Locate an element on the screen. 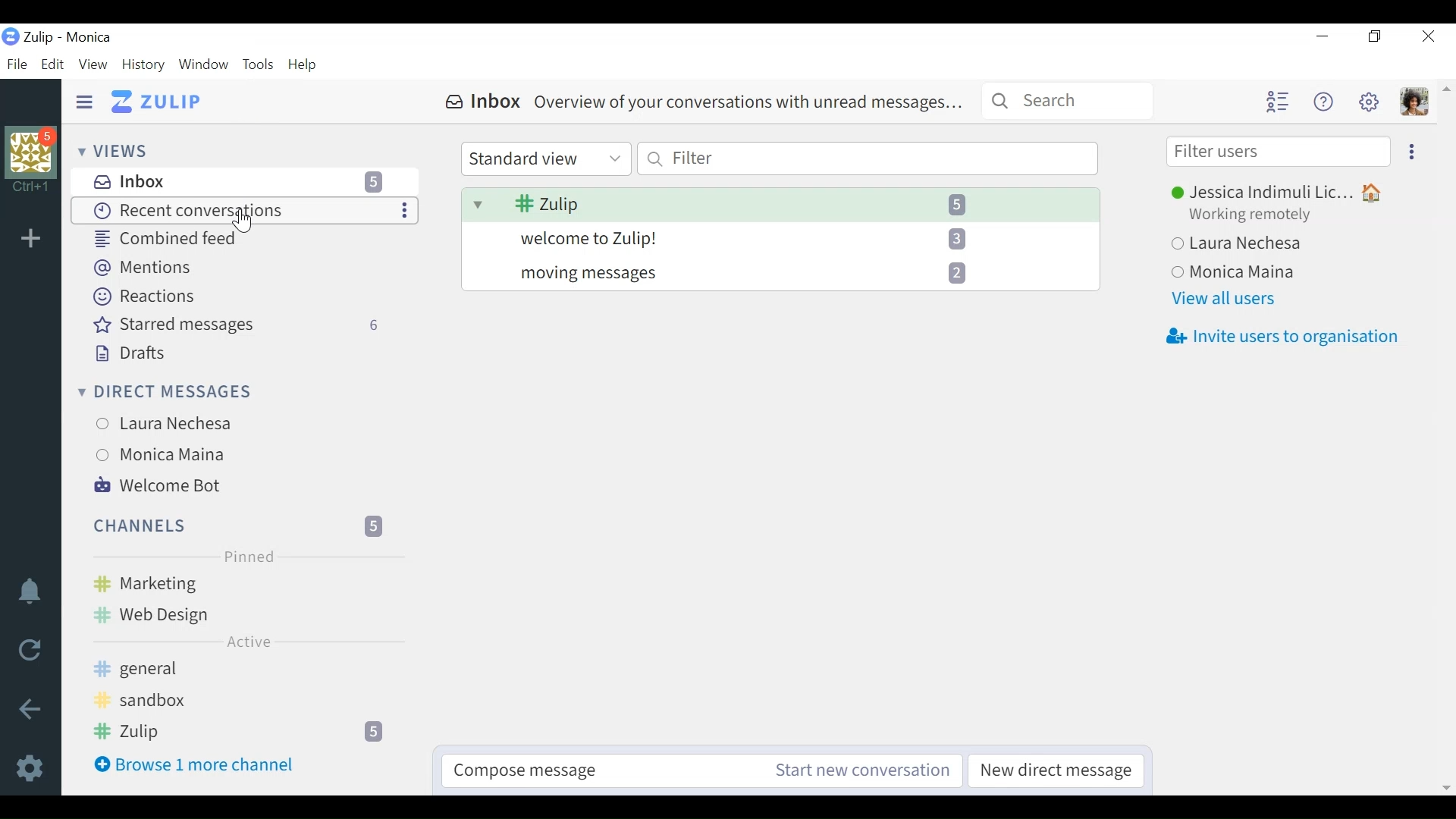 Image resolution: width=1456 pixels, height=819 pixels. Ellipsis is located at coordinates (1410, 151).